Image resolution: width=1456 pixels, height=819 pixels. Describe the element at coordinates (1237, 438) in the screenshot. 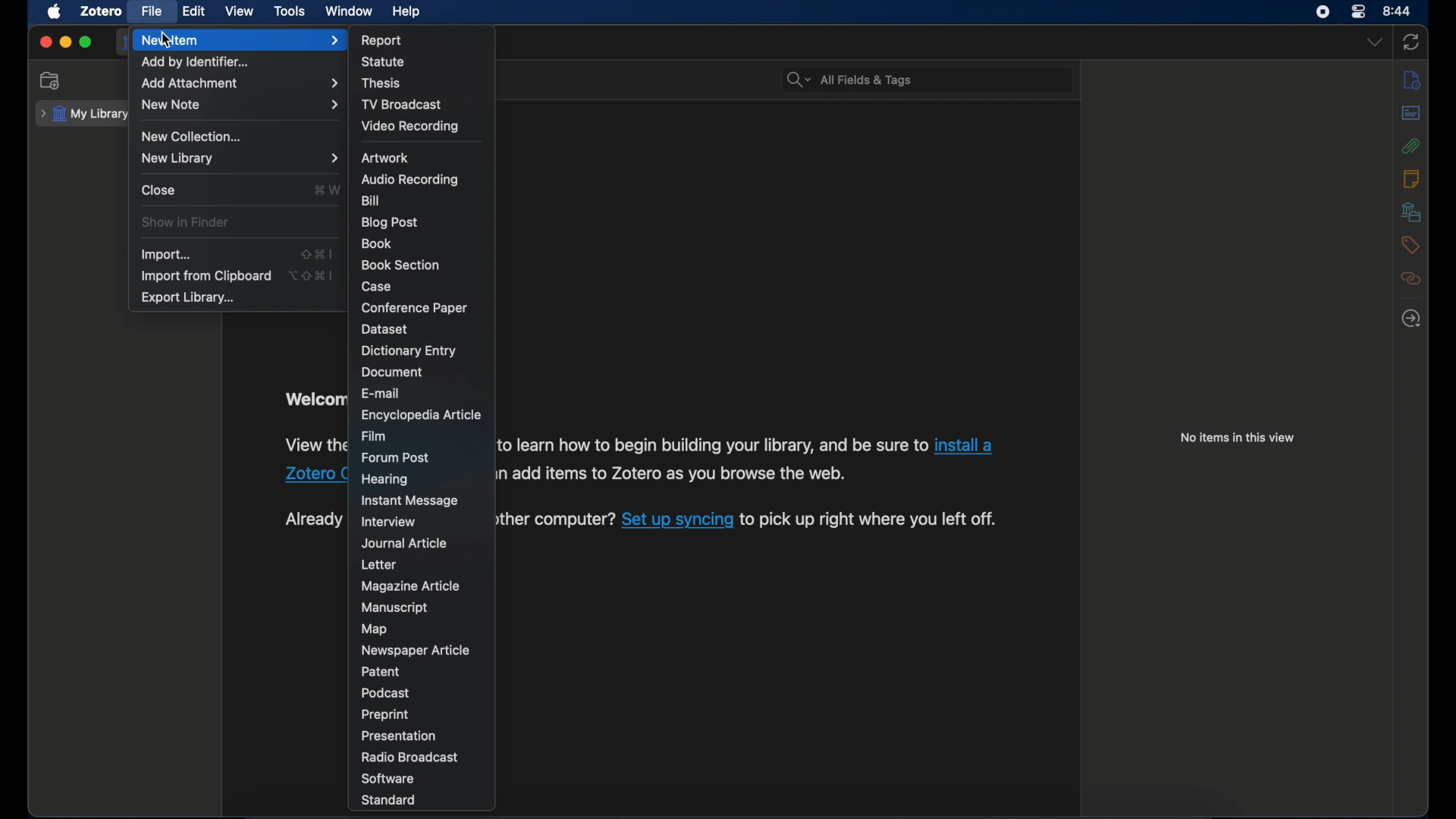

I see `no items in this view` at that location.